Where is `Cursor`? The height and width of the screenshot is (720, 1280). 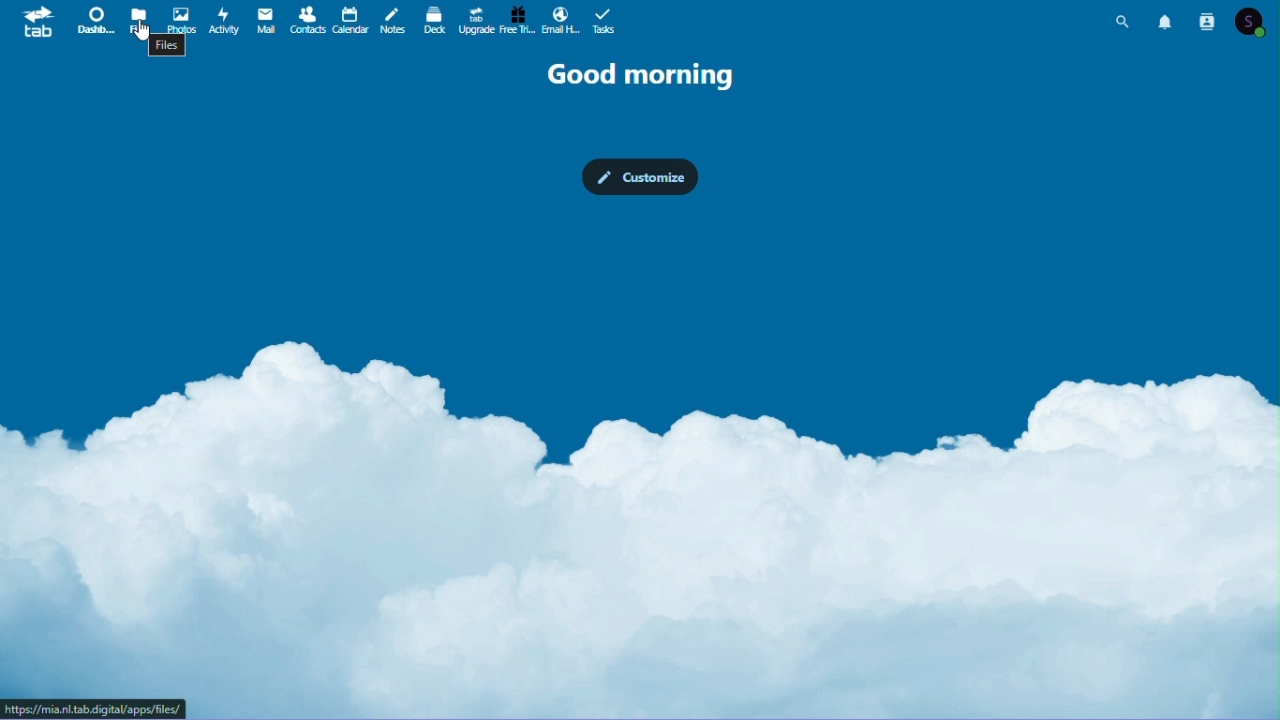
Cursor is located at coordinates (141, 30).